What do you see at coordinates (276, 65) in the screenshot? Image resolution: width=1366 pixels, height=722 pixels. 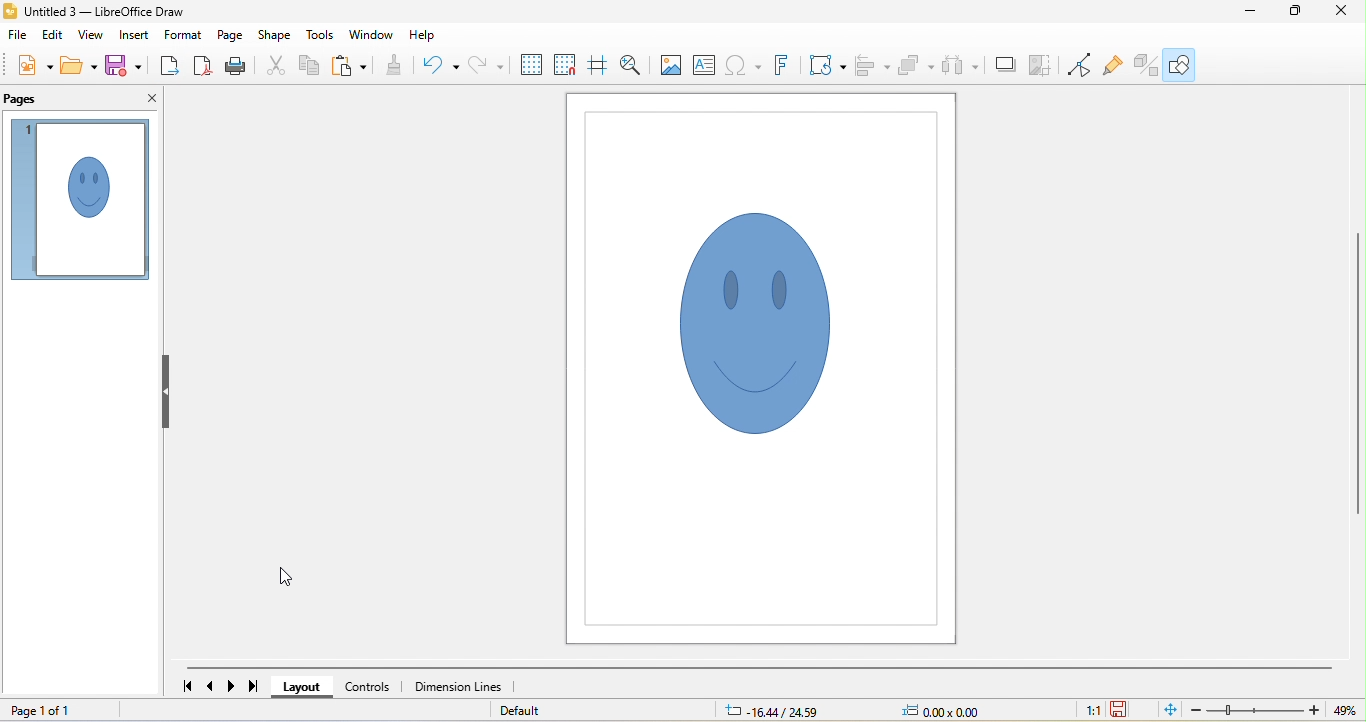 I see `cut` at bounding box center [276, 65].